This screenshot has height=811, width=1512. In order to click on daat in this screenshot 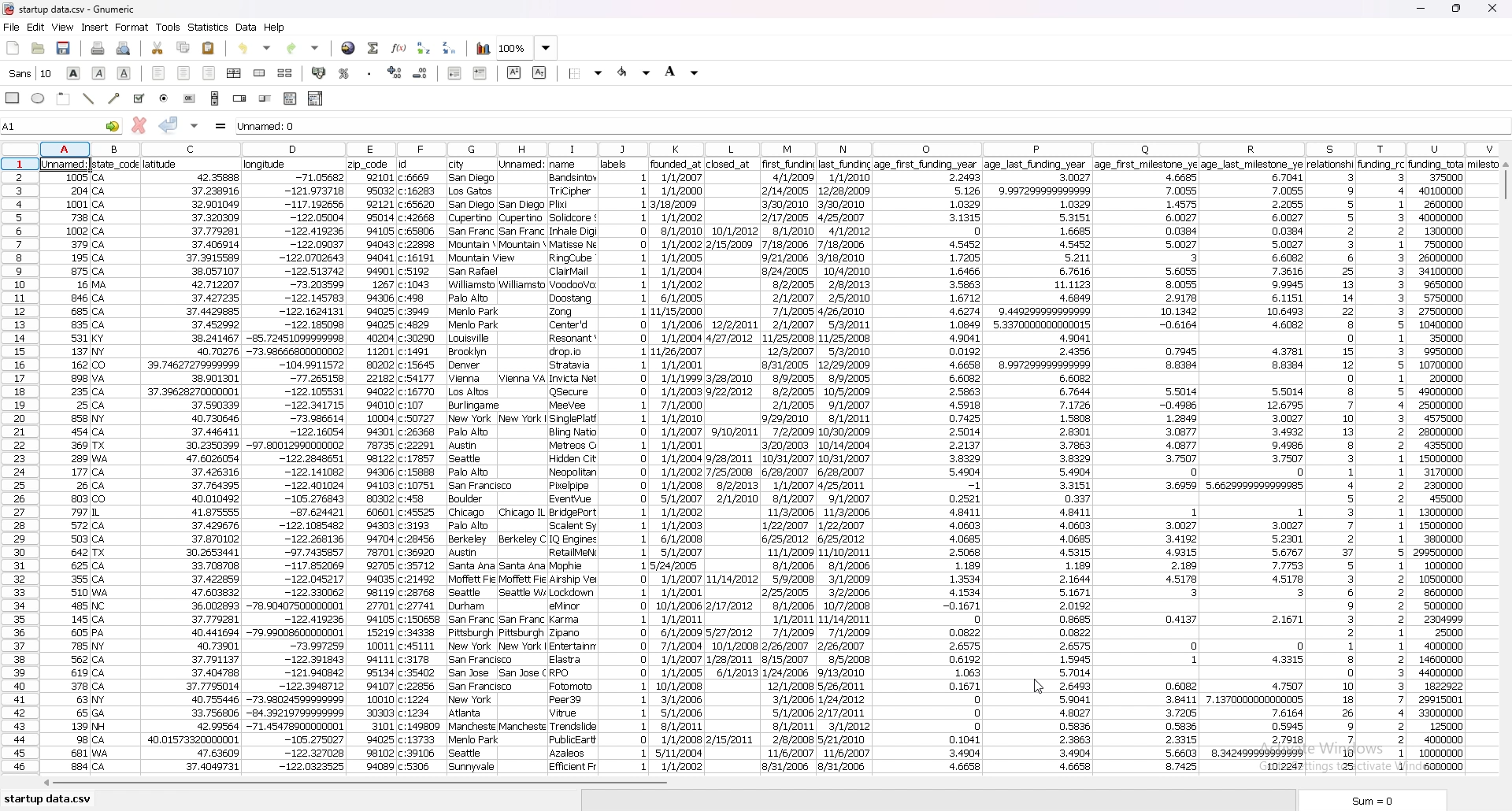, I will do `click(1254, 465)`.